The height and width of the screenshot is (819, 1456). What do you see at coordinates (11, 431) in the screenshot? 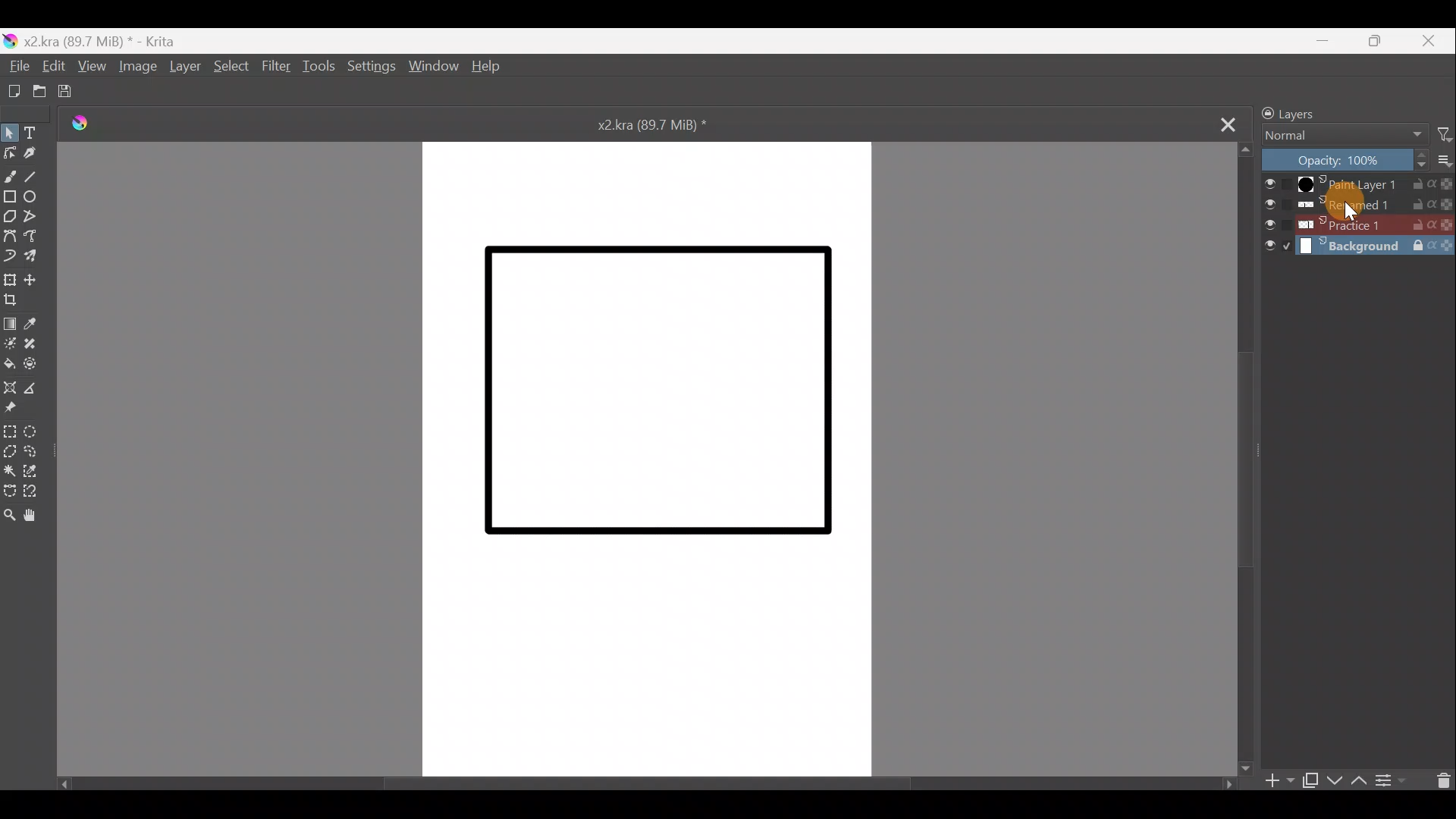
I see `Rectangular selection tool` at bounding box center [11, 431].